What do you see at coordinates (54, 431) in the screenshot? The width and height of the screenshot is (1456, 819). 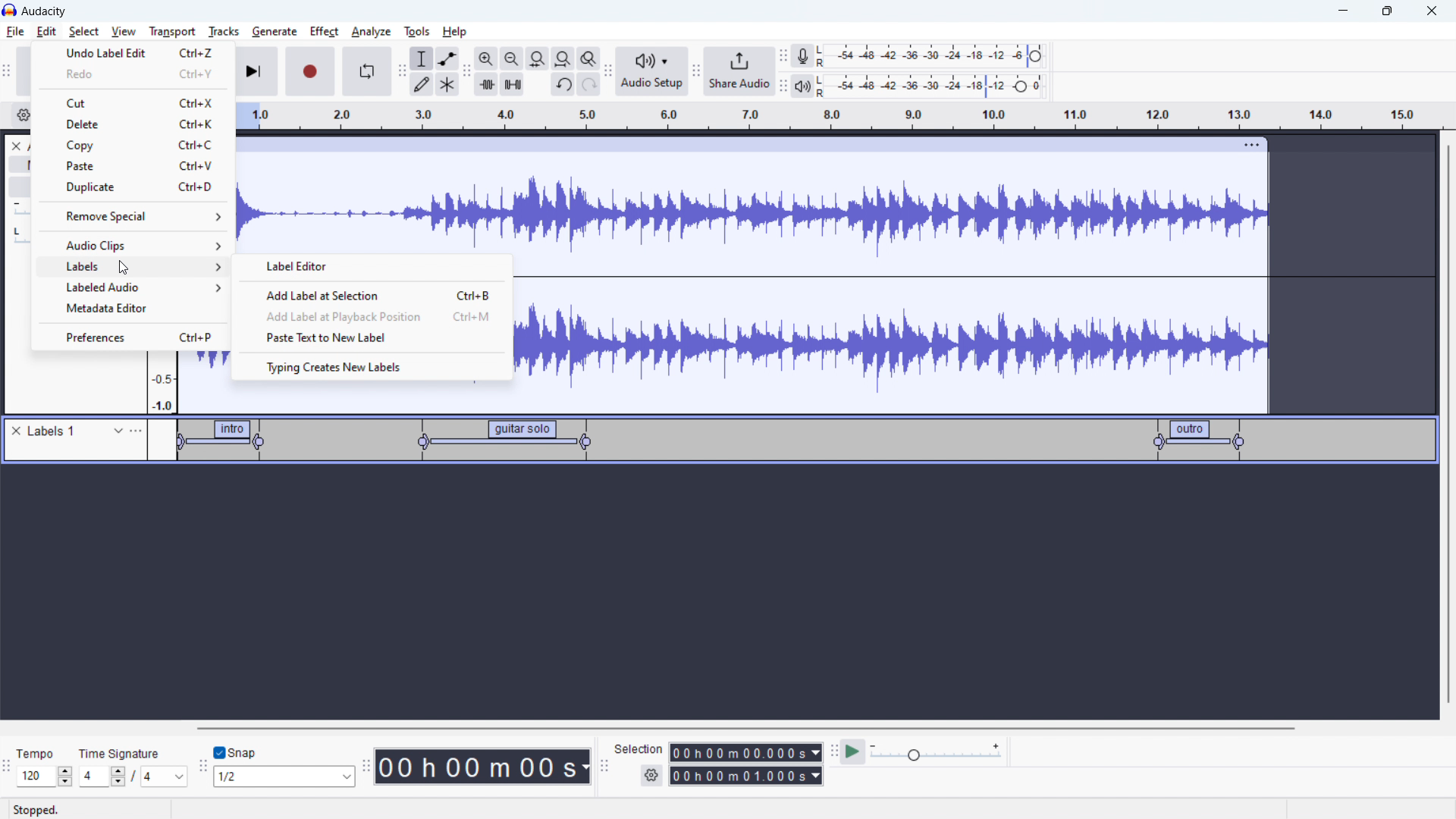 I see `labels` at bounding box center [54, 431].